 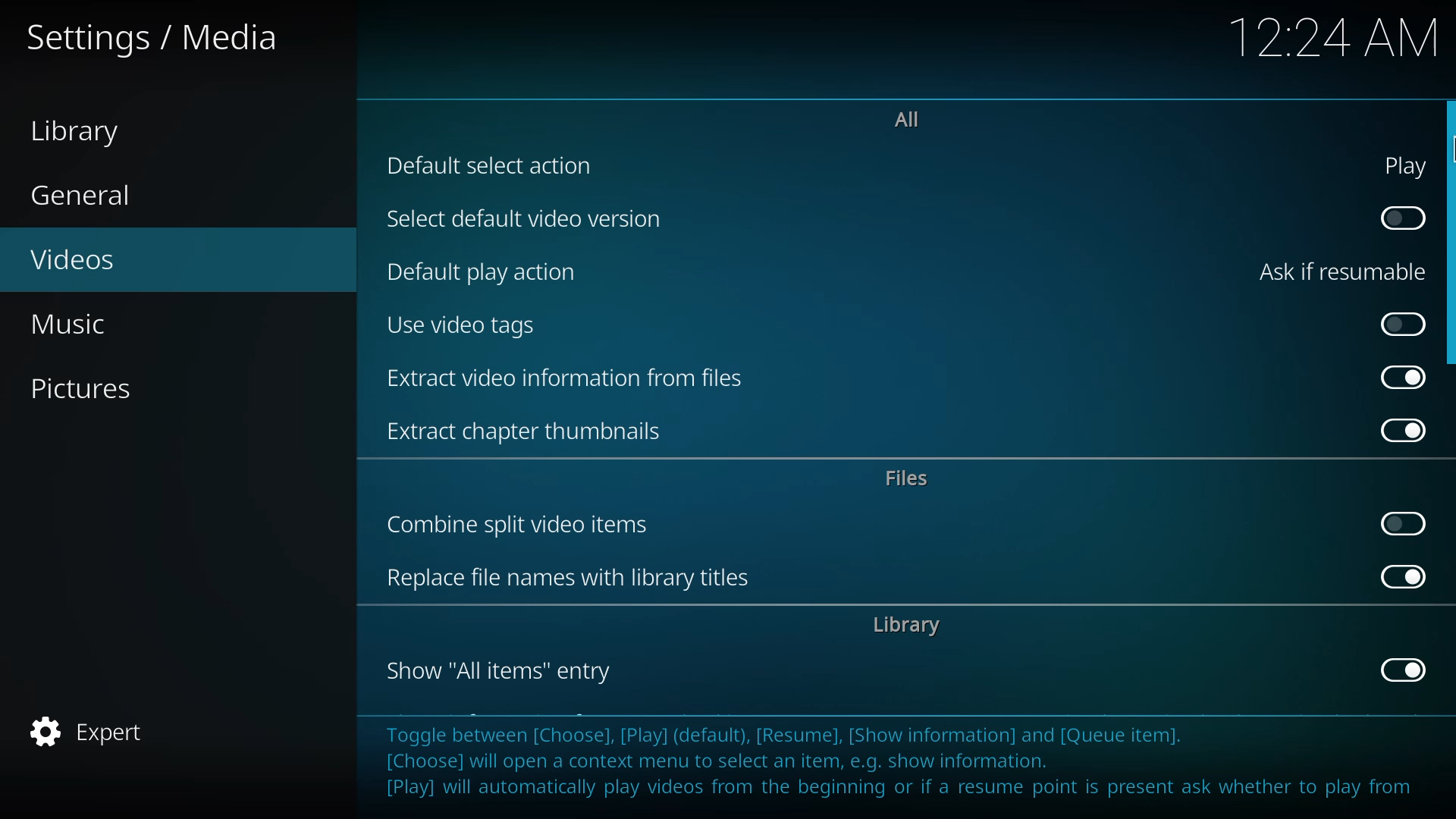 What do you see at coordinates (1451, 221) in the screenshot?
I see `mouse down` at bounding box center [1451, 221].